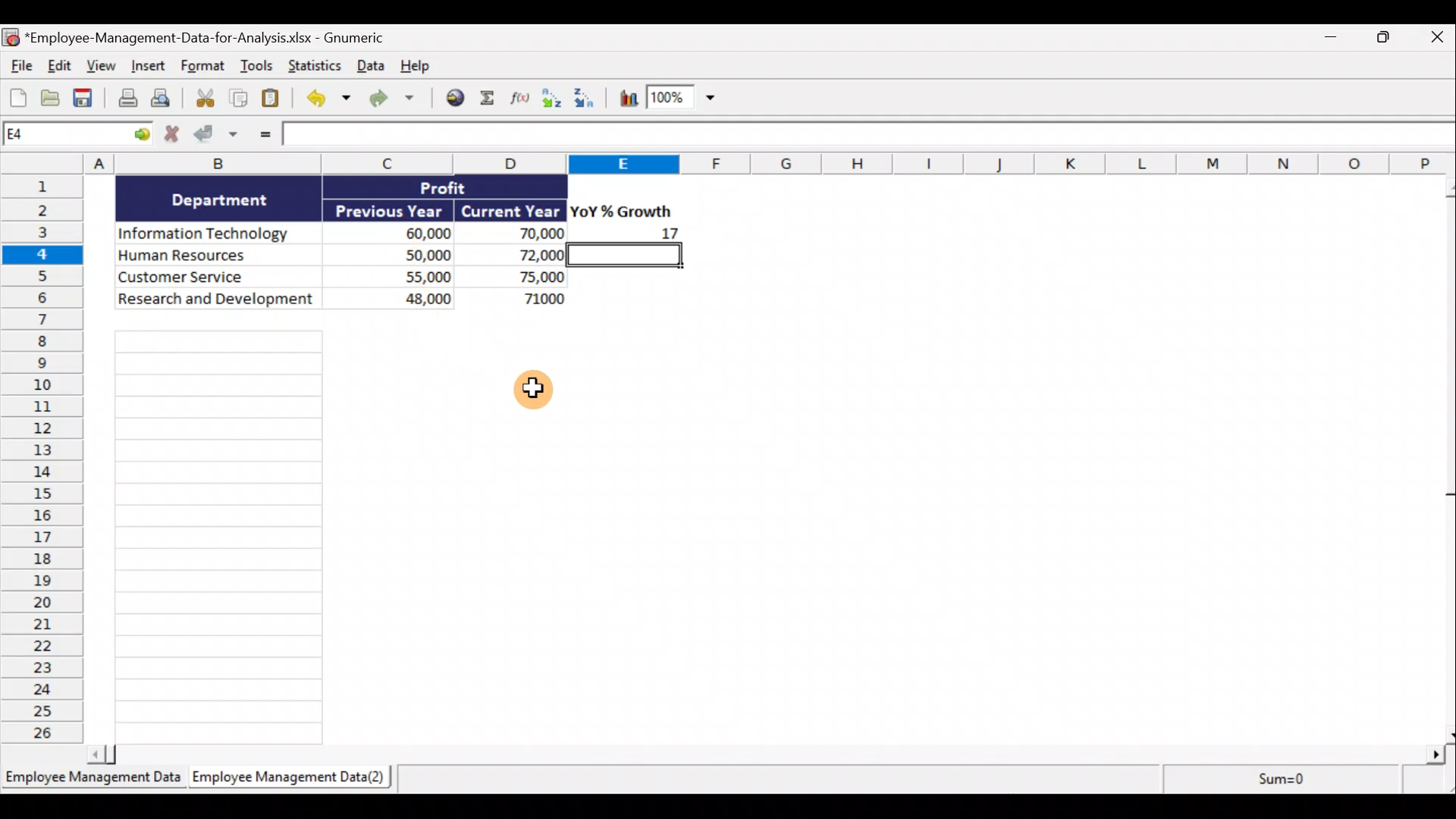 The height and width of the screenshot is (819, 1456). Describe the element at coordinates (91, 778) in the screenshot. I see `Sheet 1` at that location.